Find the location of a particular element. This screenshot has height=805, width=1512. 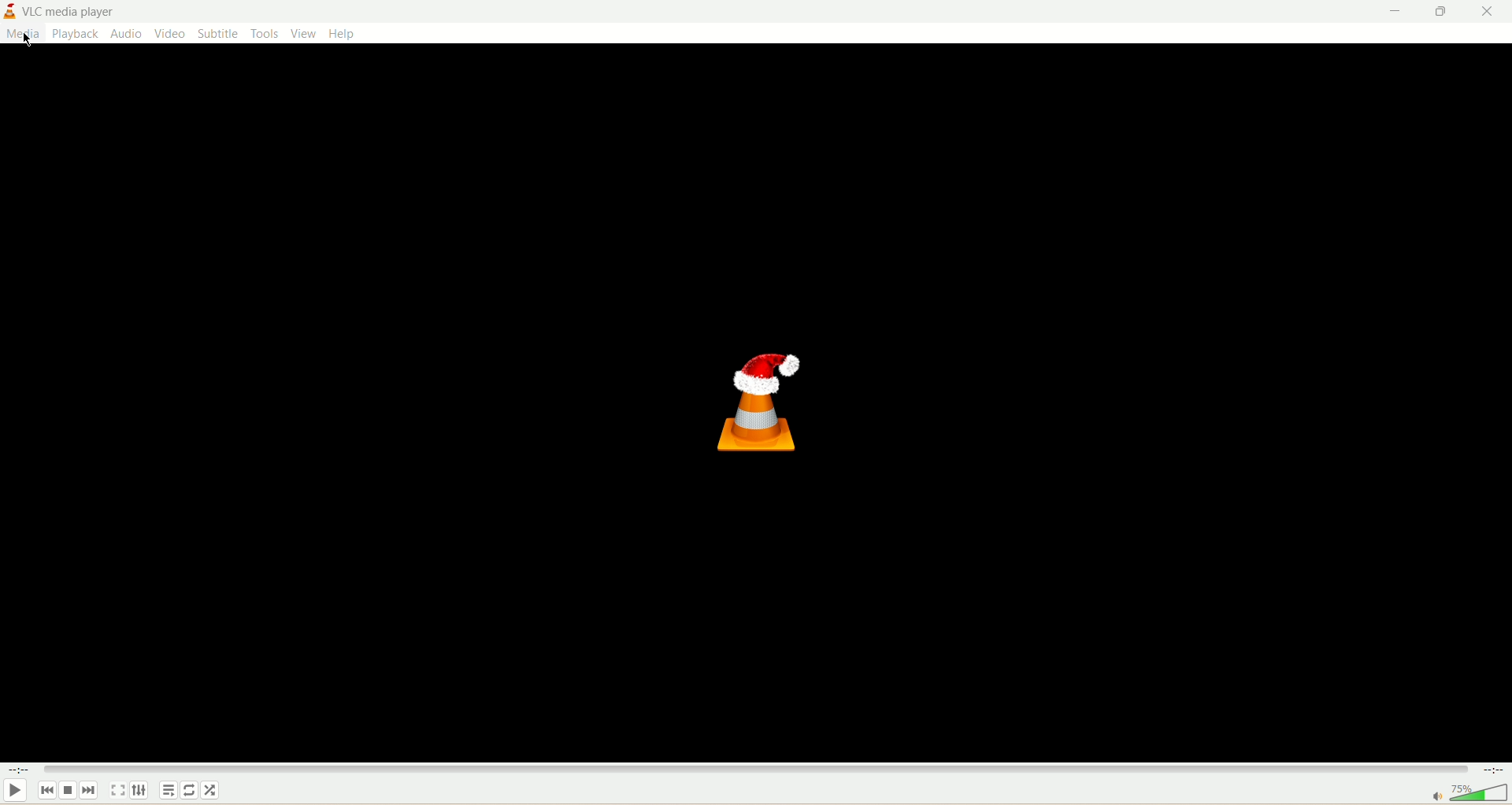

tools is located at coordinates (264, 35).